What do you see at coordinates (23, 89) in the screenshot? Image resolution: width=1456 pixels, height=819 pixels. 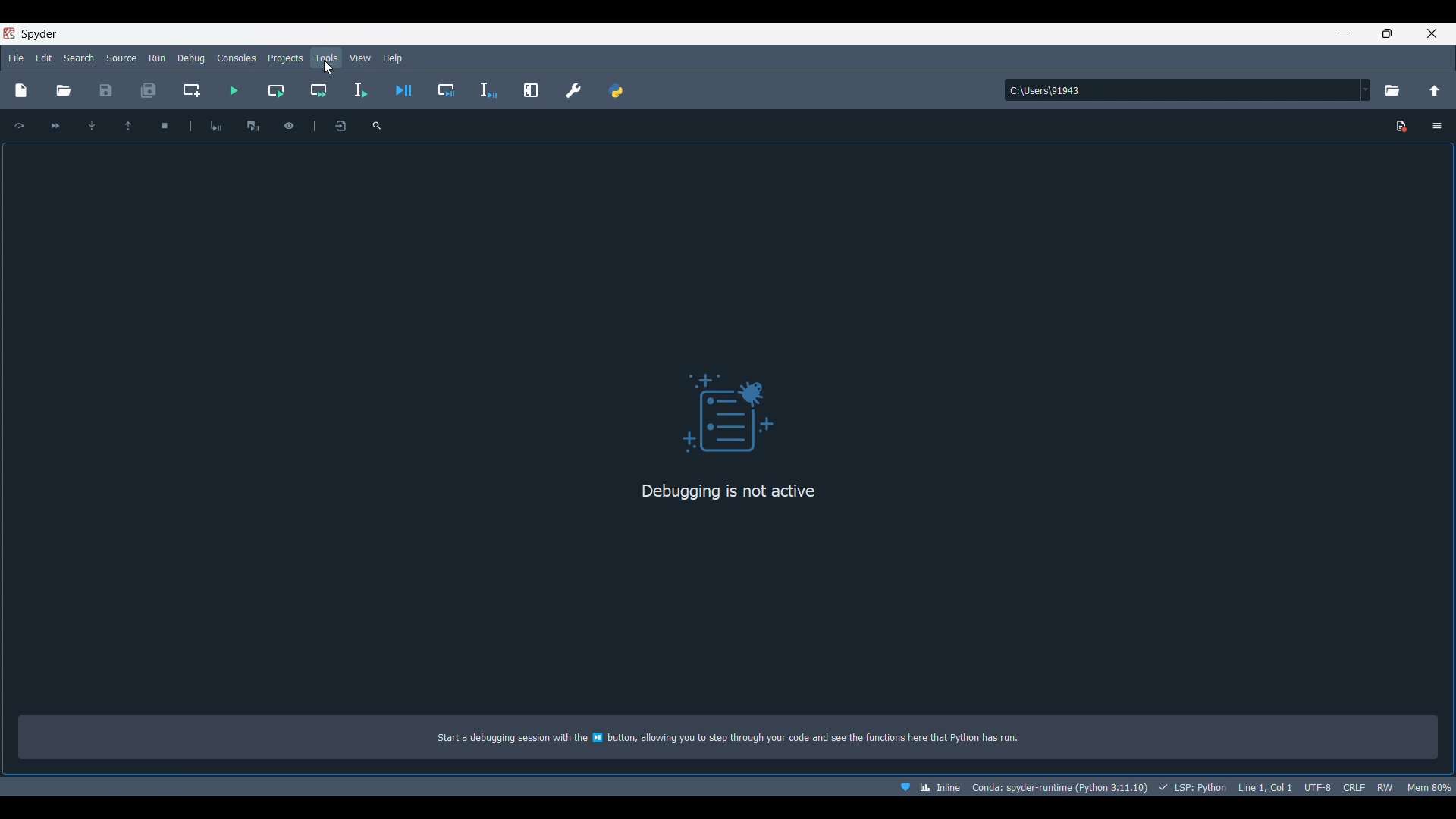 I see `New` at bounding box center [23, 89].